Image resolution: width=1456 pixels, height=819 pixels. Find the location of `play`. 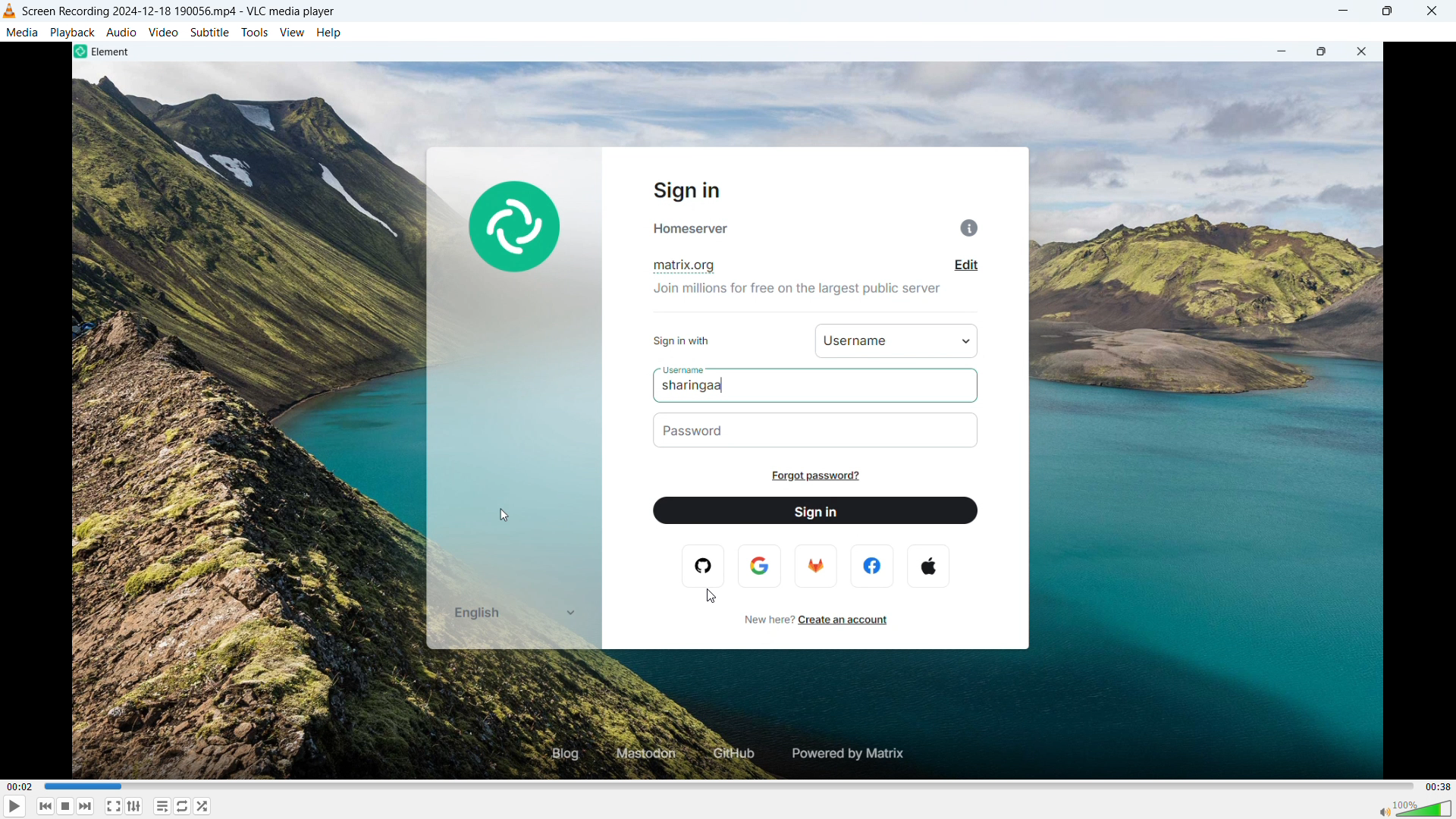

play is located at coordinates (15, 806).